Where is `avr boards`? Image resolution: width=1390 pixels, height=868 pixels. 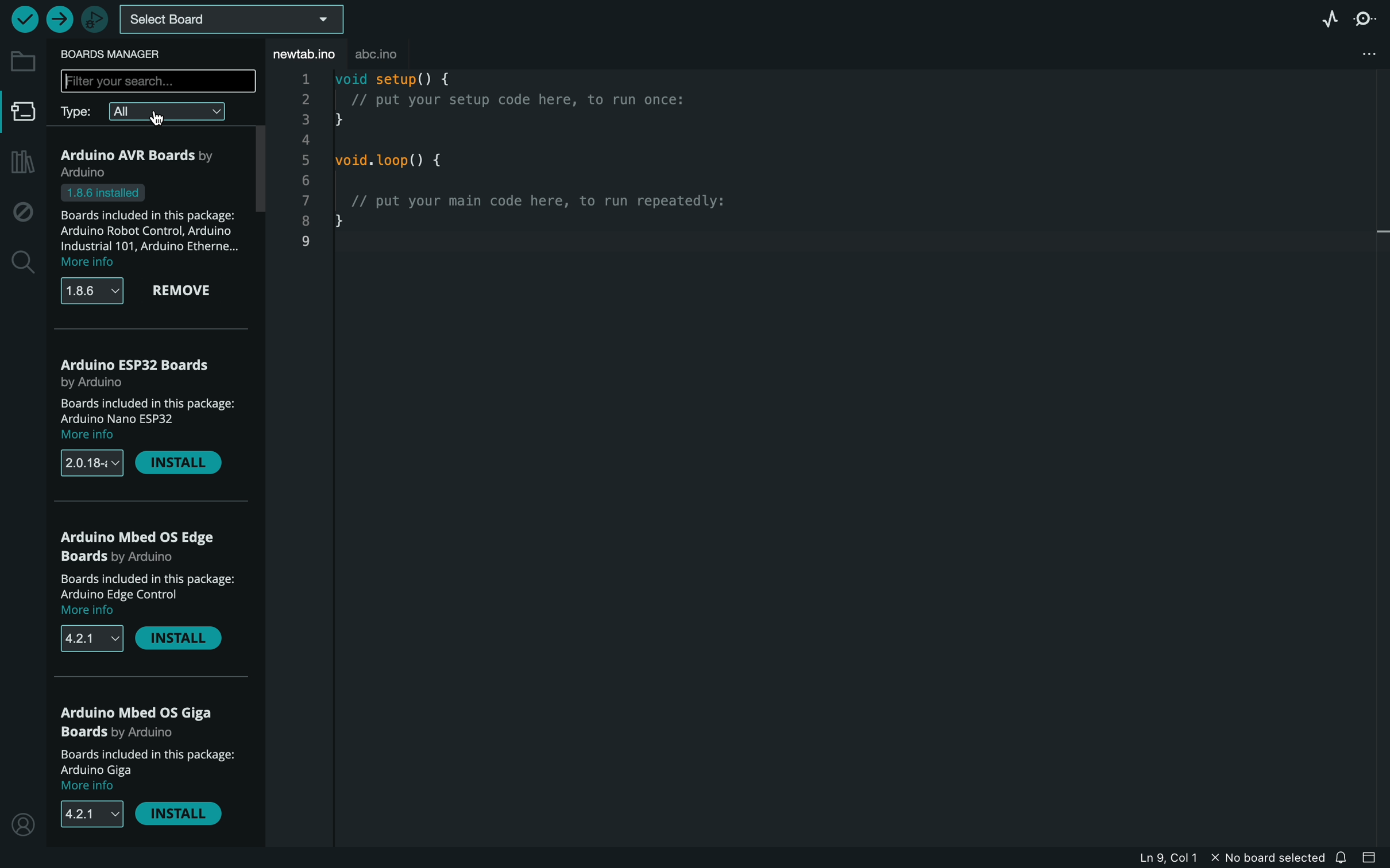 avr boards is located at coordinates (145, 160).